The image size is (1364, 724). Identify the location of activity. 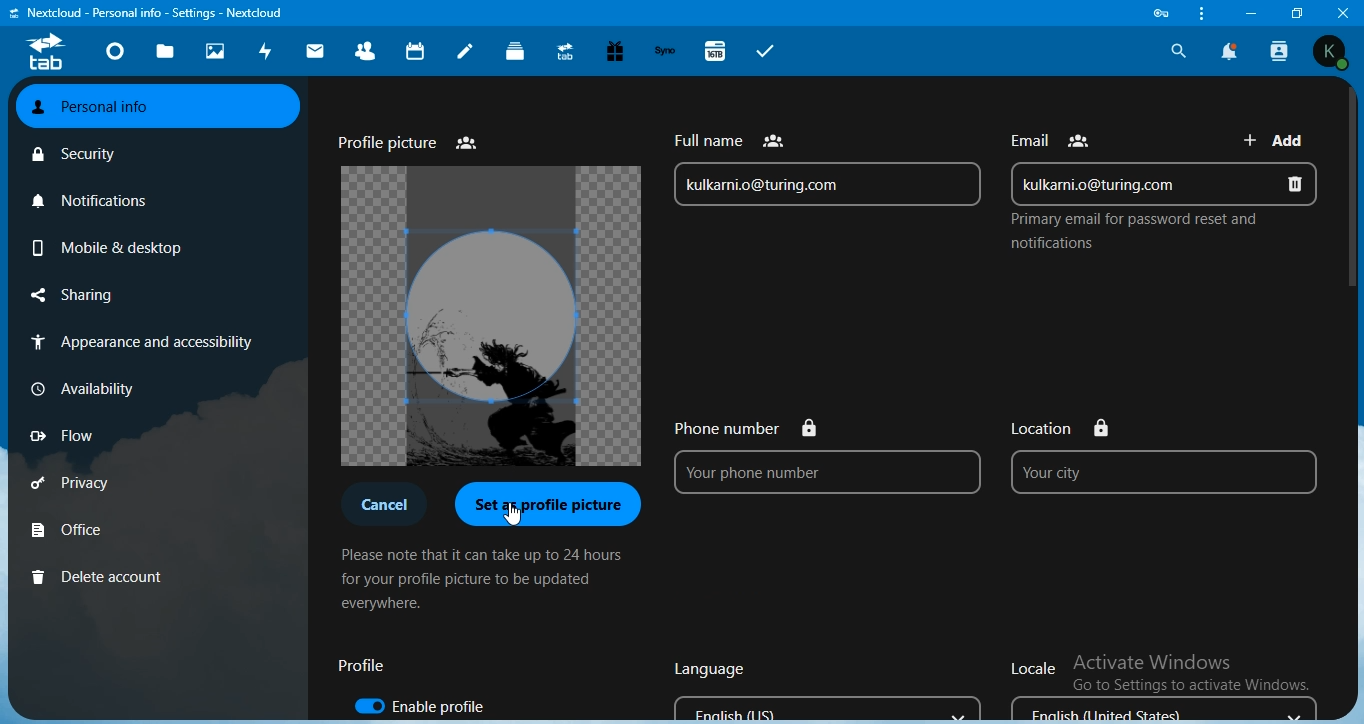
(264, 52).